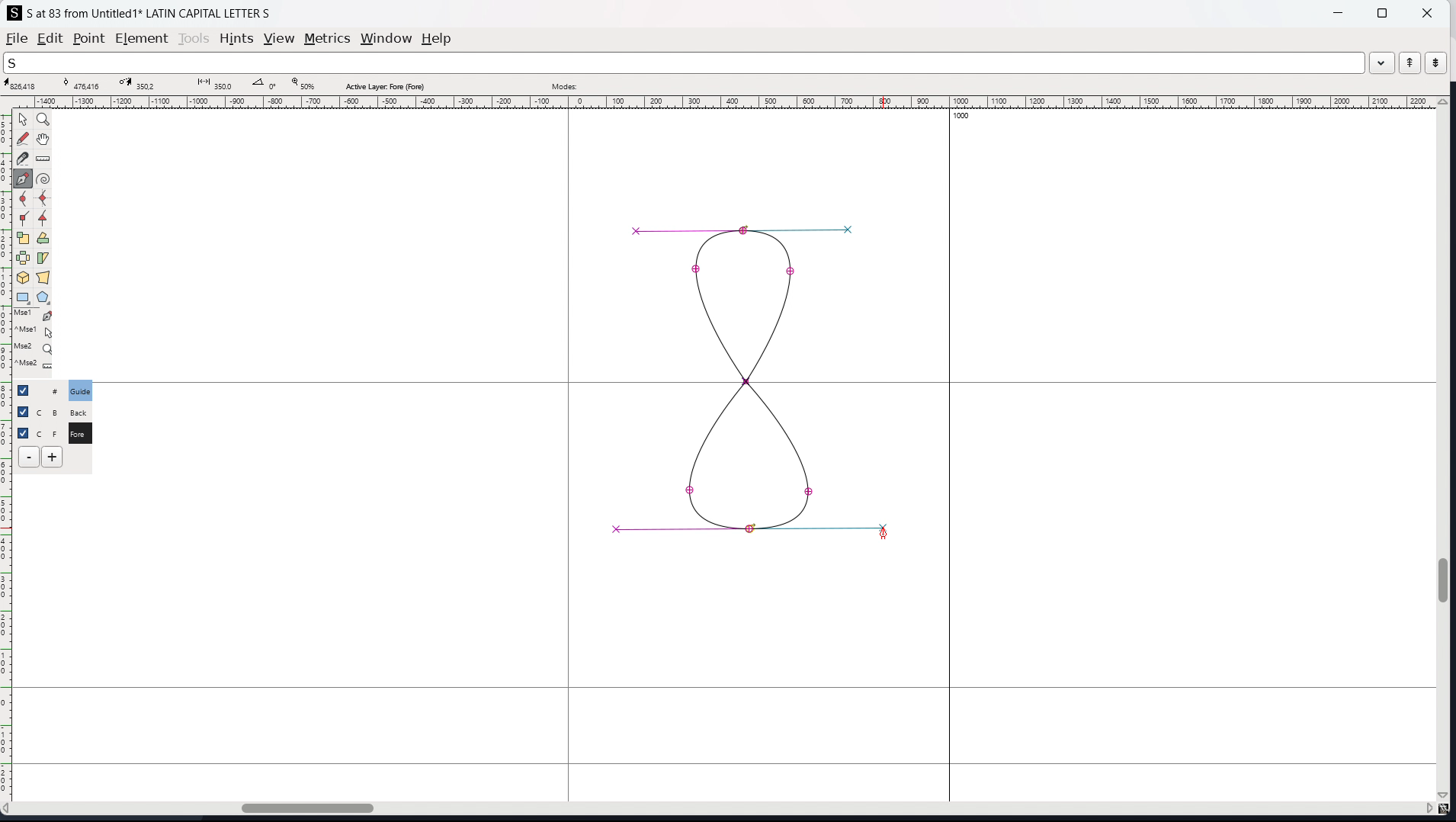 The height and width of the screenshot is (822, 1456). I want to click on ^Mse1, so click(34, 332).